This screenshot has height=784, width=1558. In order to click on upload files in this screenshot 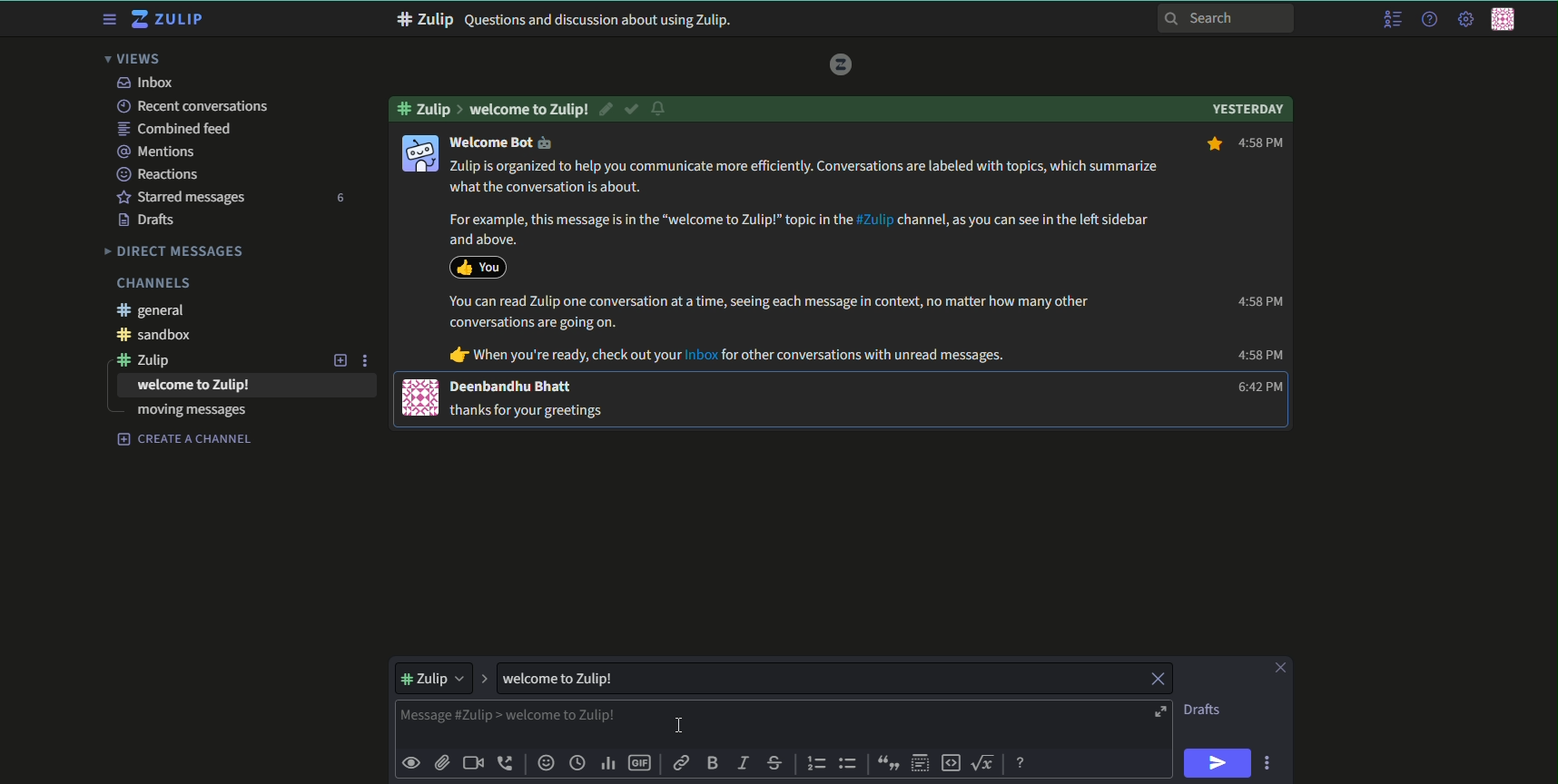, I will do `click(441, 761)`.